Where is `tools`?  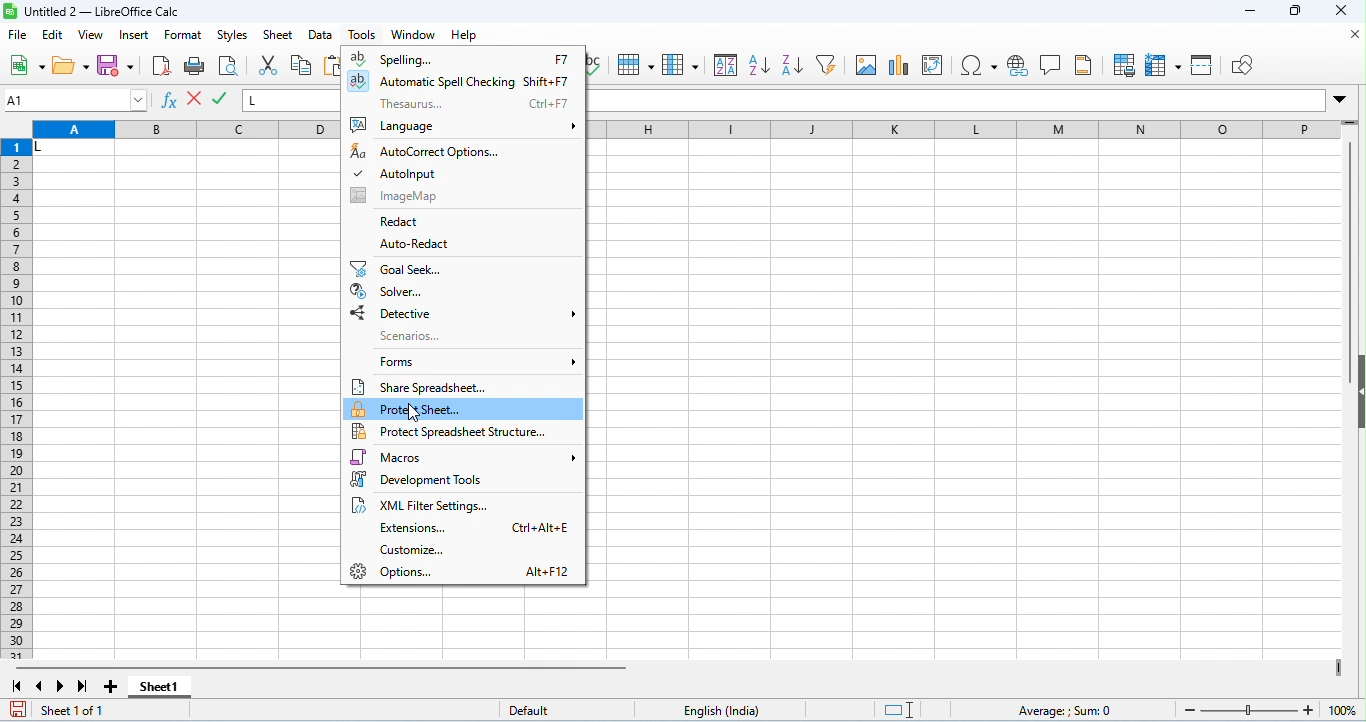
tools is located at coordinates (364, 35).